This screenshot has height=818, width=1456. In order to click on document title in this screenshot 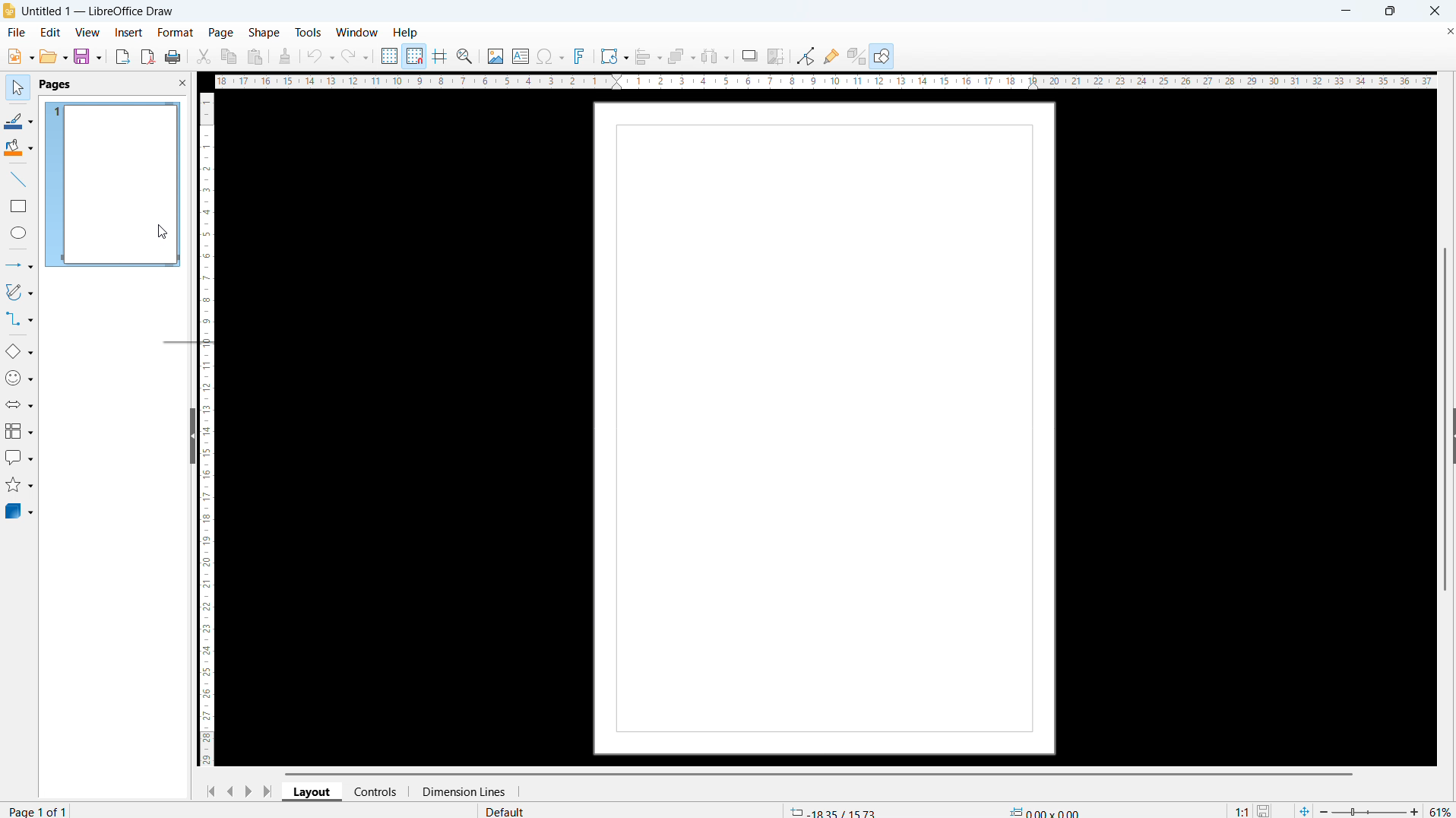, I will do `click(100, 12)`.